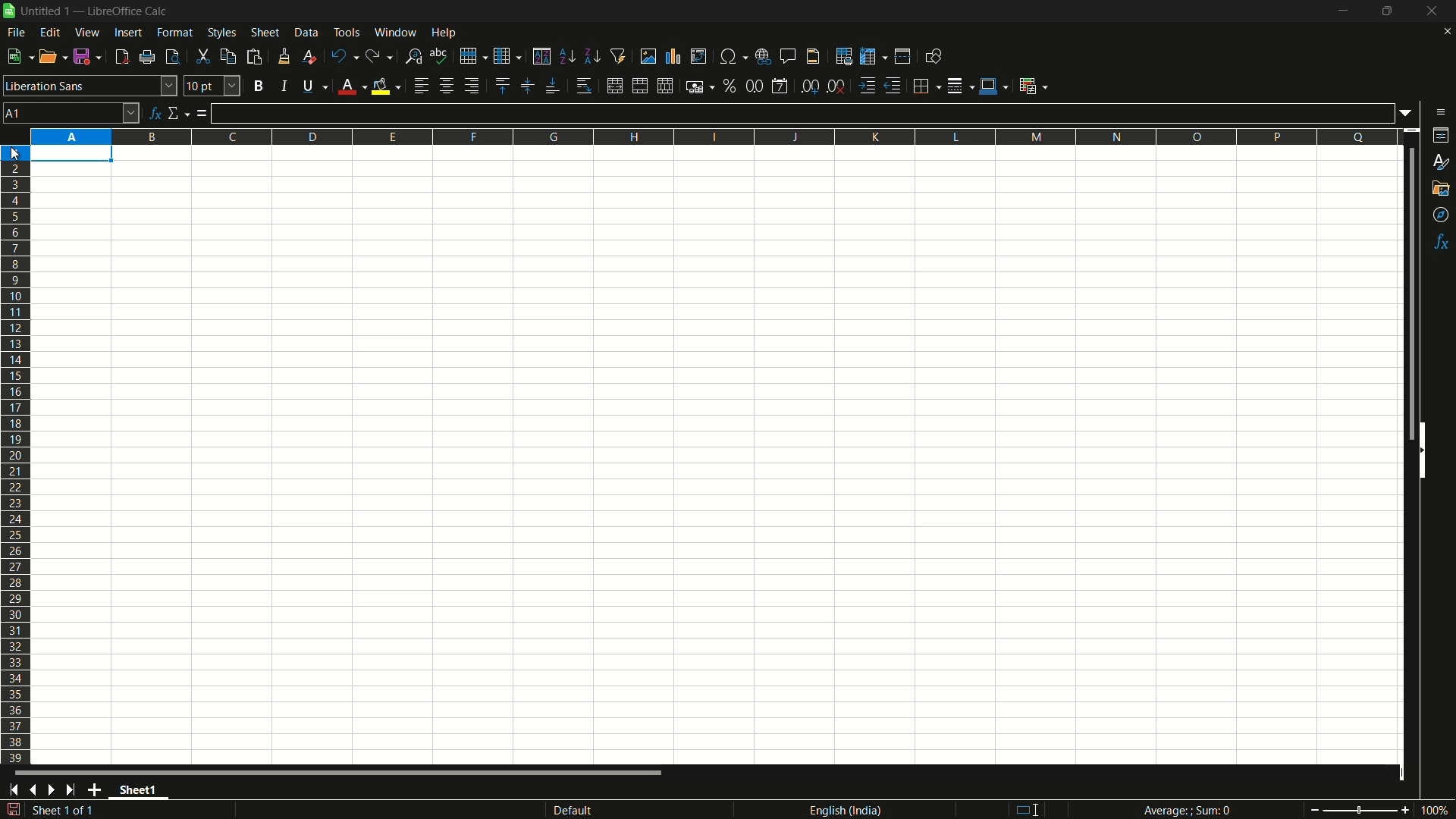 This screenshot has height=819, width=1456. Describe the element at coordinates (1033, 809) in the screenshot. I see `standard selection` at that location.